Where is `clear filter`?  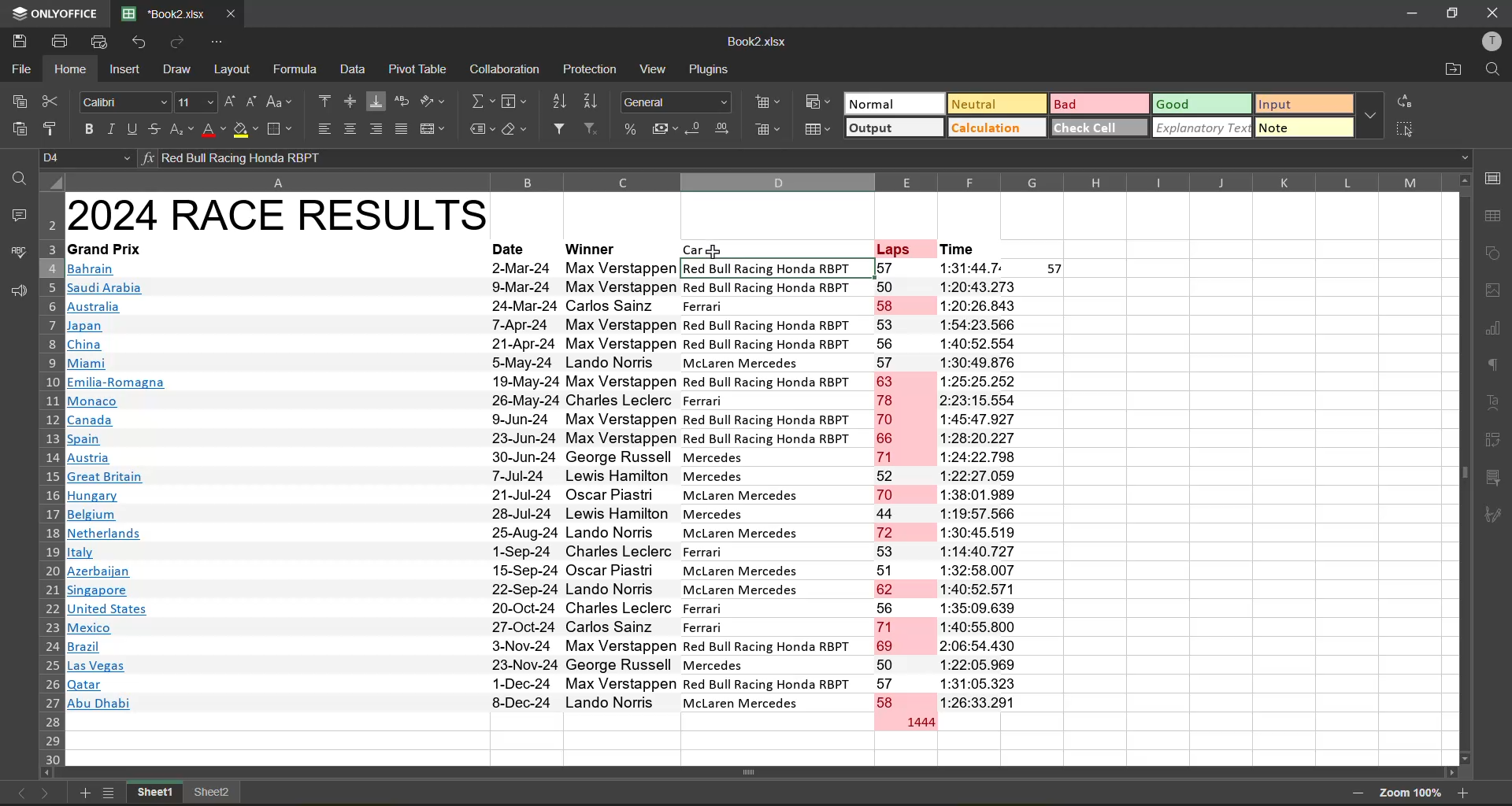 clear filter is located at coordinates (591, 126).